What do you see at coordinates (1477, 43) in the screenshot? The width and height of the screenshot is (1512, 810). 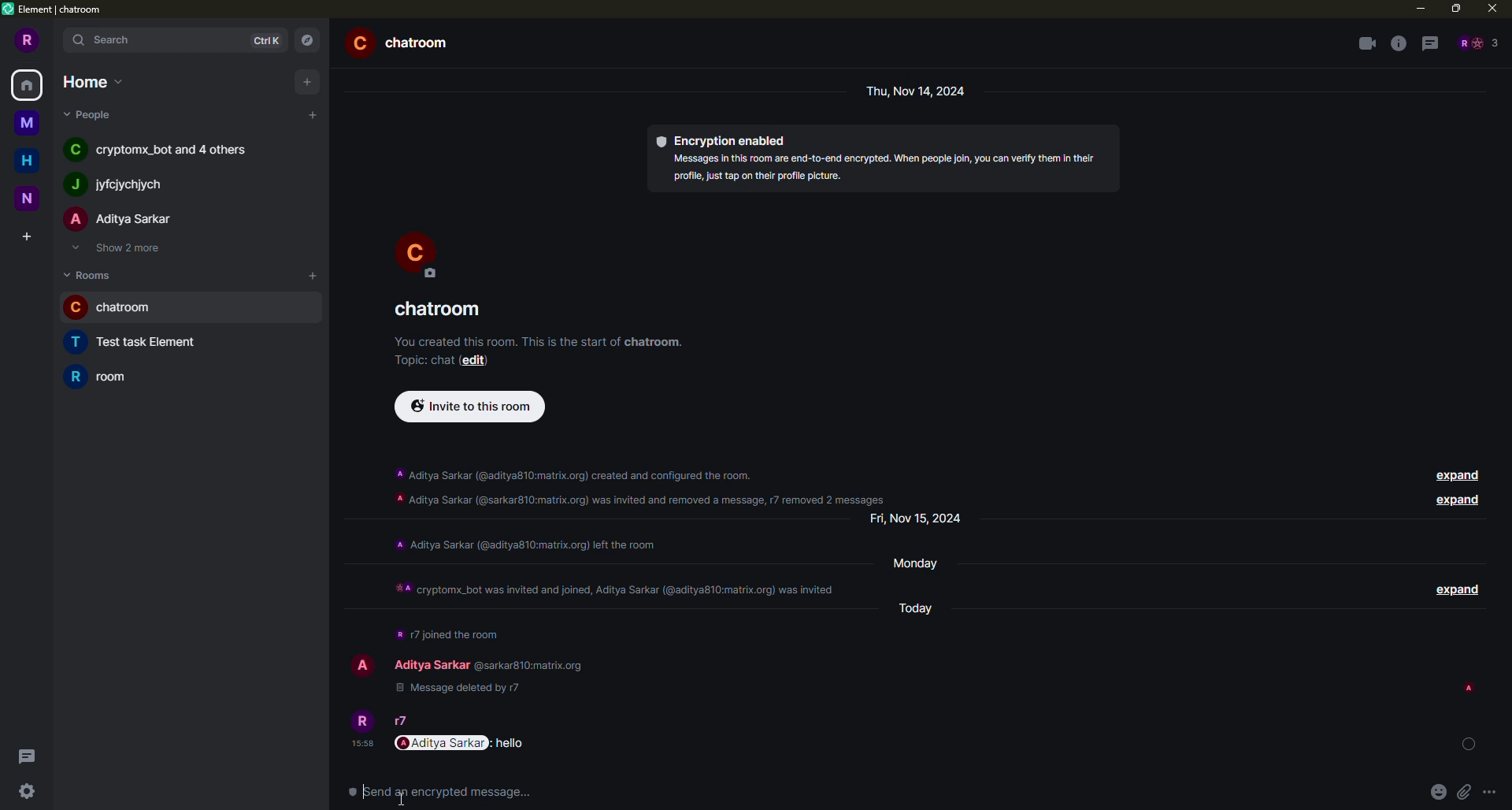 I see `people` at bounding box center [1477, 43].